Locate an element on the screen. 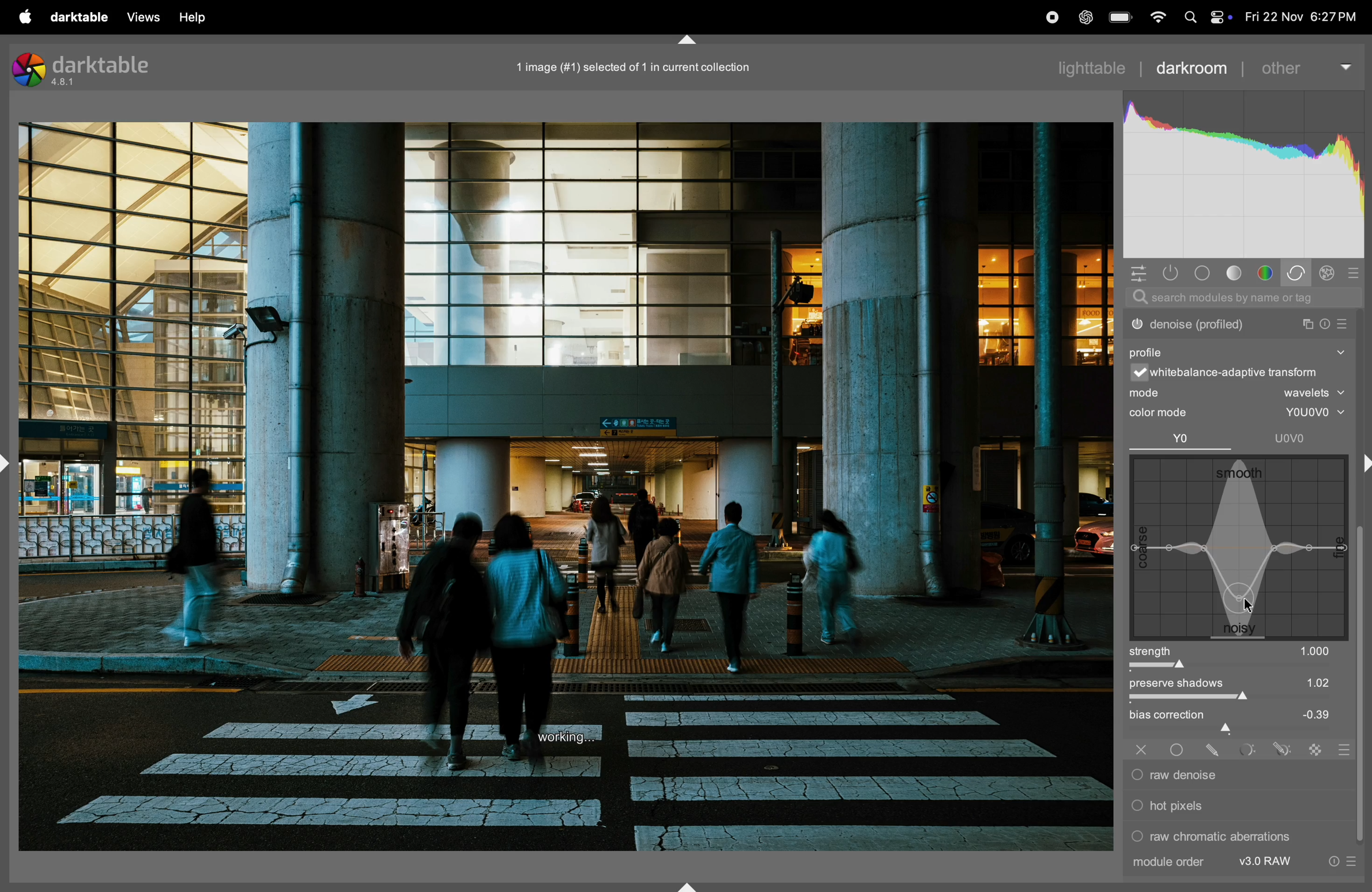 The image size is (1372, 892). other is located at coordinates (1303, 66).